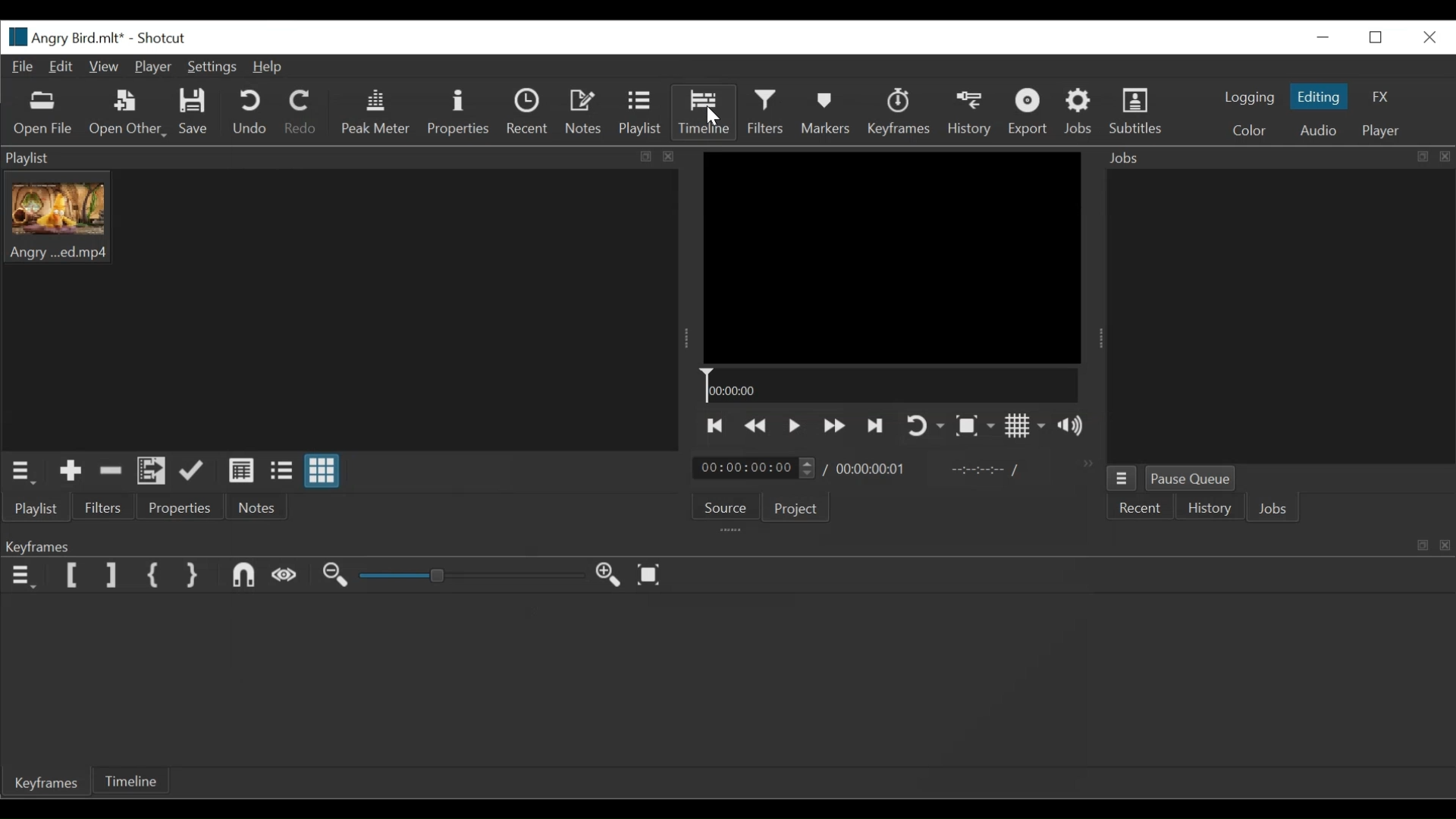 This screenshot has height=819, width=1456. What do you see at coordinates (900, 112) in the screenshot?
I see `Keyframes` at bounding box center [900, 112].